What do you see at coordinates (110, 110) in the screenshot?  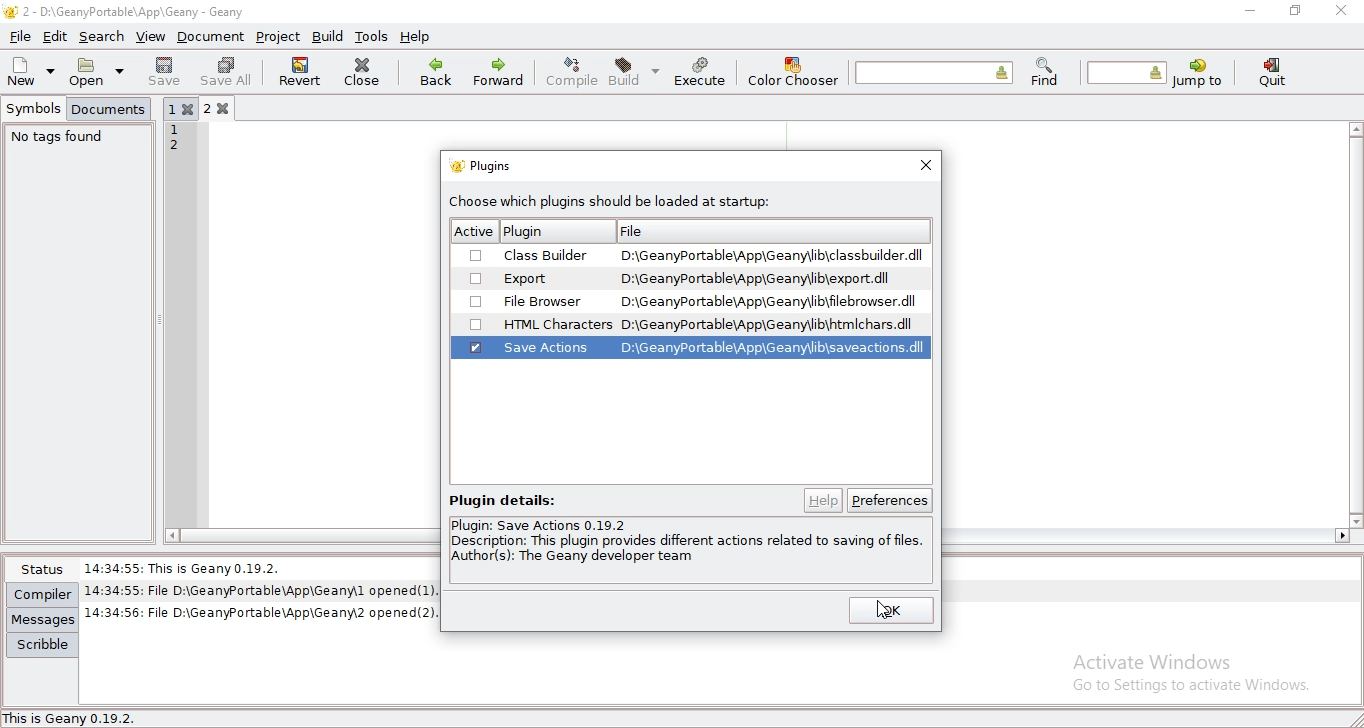 I see `documents` at bounding box center [110, 110].